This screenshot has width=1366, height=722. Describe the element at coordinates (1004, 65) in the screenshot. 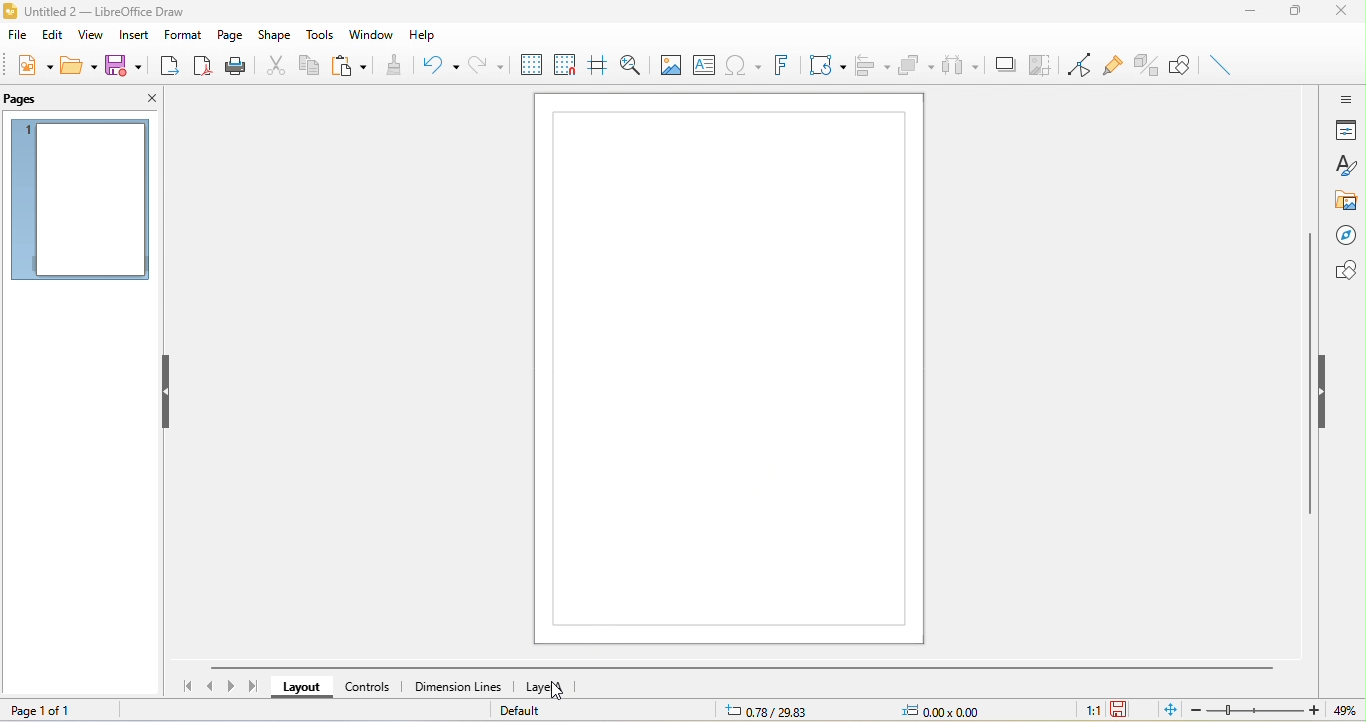

I see `shadow` at that location.